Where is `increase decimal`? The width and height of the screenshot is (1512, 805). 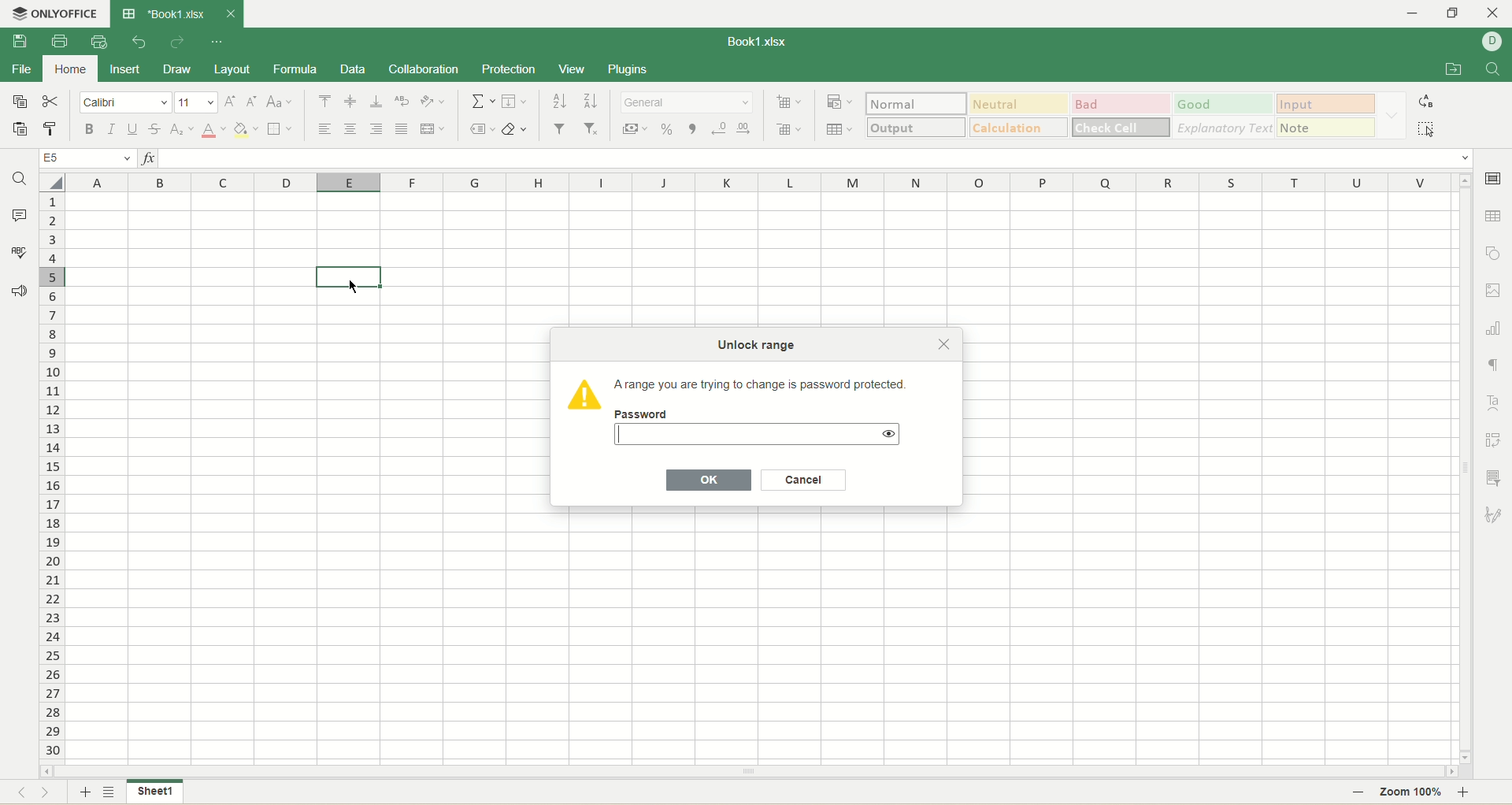 increase decimal is located at coordinates (743, 128).